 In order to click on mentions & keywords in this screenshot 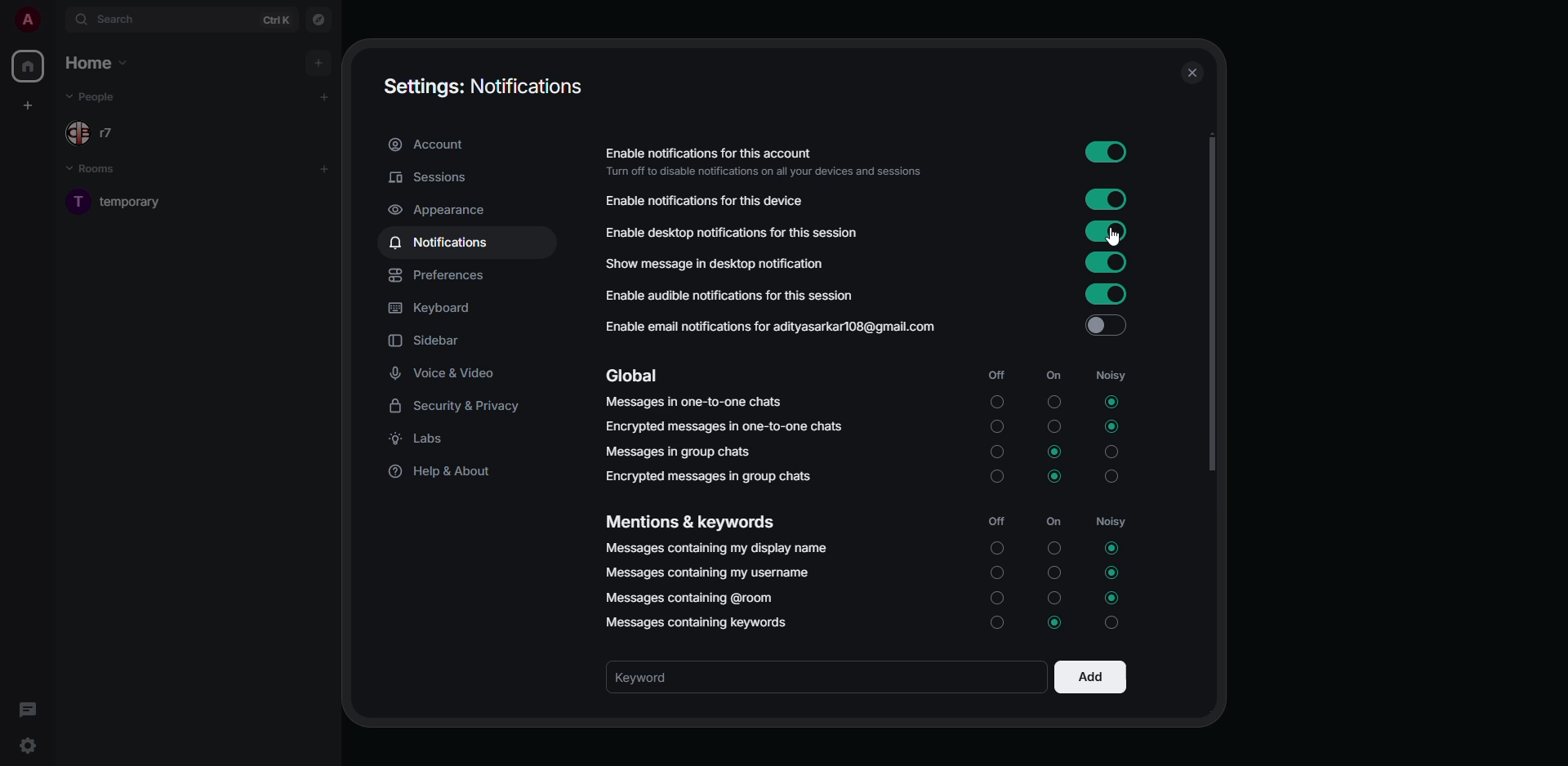, I will do `click(688, 519)`.